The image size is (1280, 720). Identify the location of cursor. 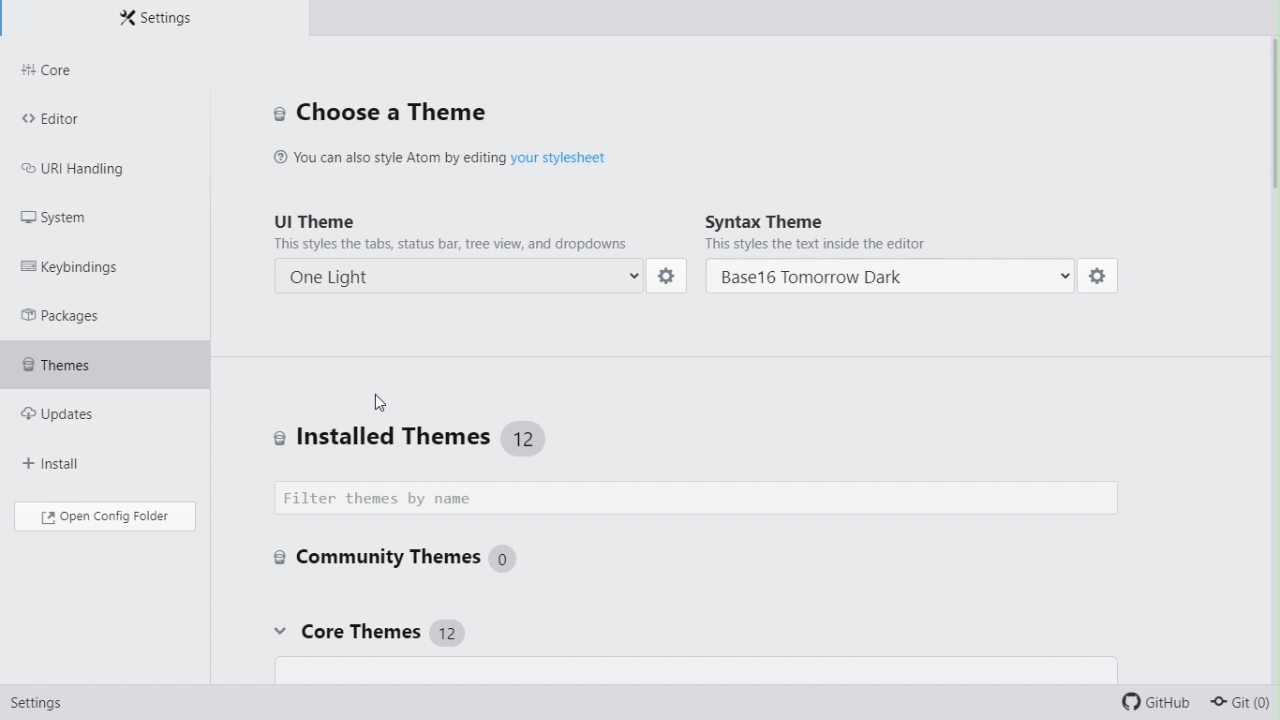
(381, 400).